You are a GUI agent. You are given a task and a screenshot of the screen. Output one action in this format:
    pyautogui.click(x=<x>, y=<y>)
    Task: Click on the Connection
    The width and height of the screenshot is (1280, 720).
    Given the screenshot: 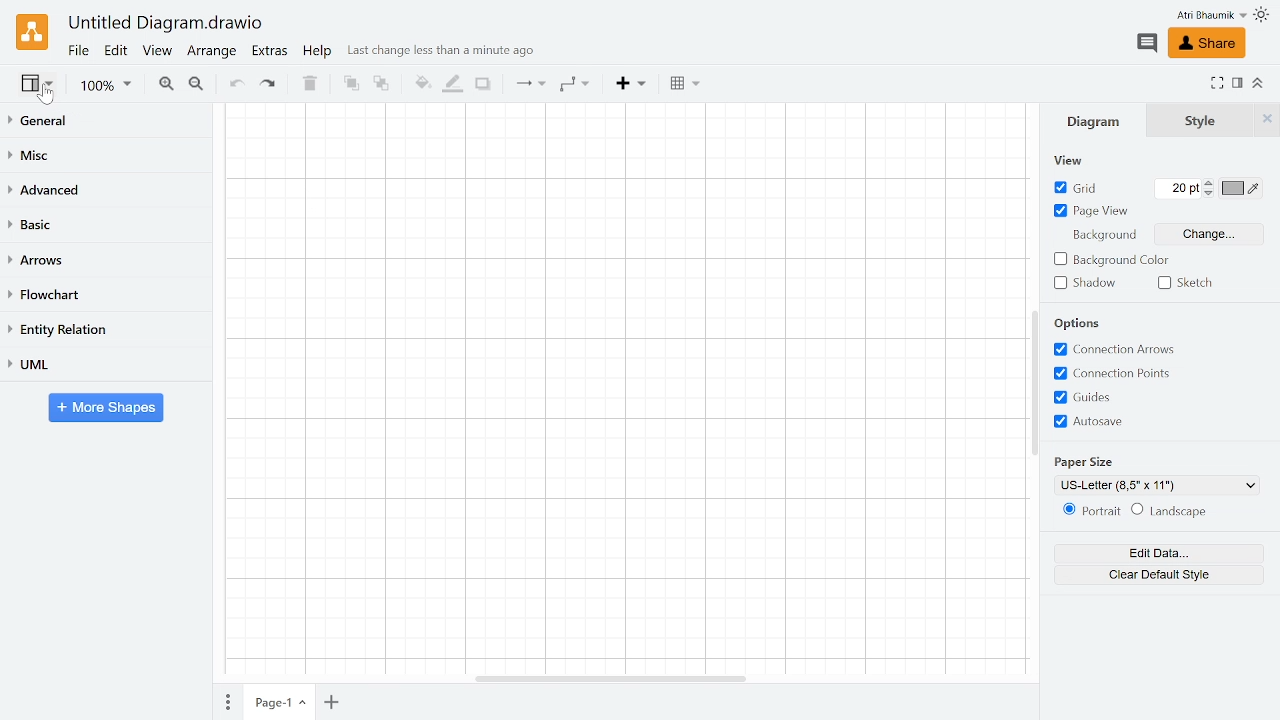 What is the action you would take?
    pyautogui.click(x=529, y=85)
    